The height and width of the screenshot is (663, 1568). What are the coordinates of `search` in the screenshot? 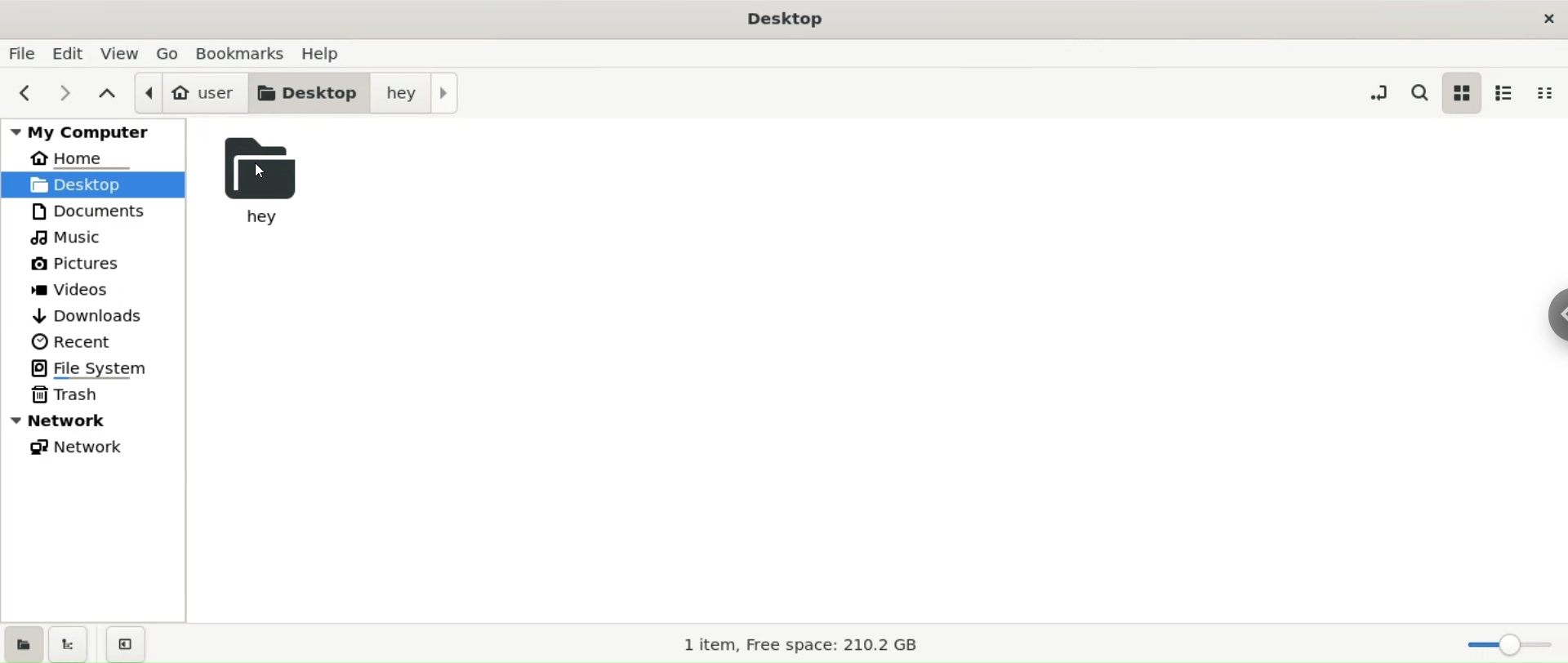 It's located at (1418, 93).